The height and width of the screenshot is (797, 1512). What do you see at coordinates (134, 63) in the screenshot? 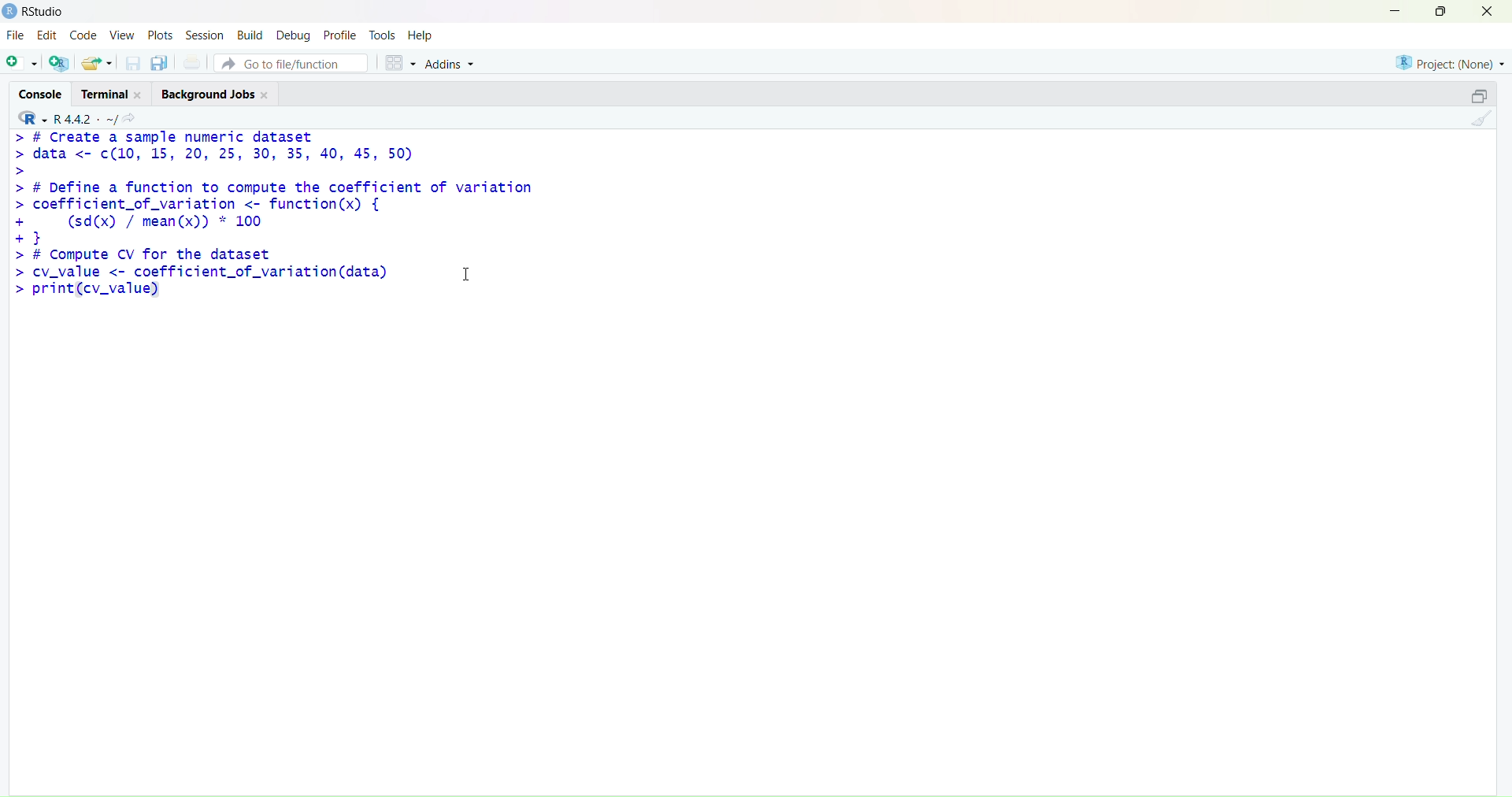
I see `save` at bounding box center [134, 63].